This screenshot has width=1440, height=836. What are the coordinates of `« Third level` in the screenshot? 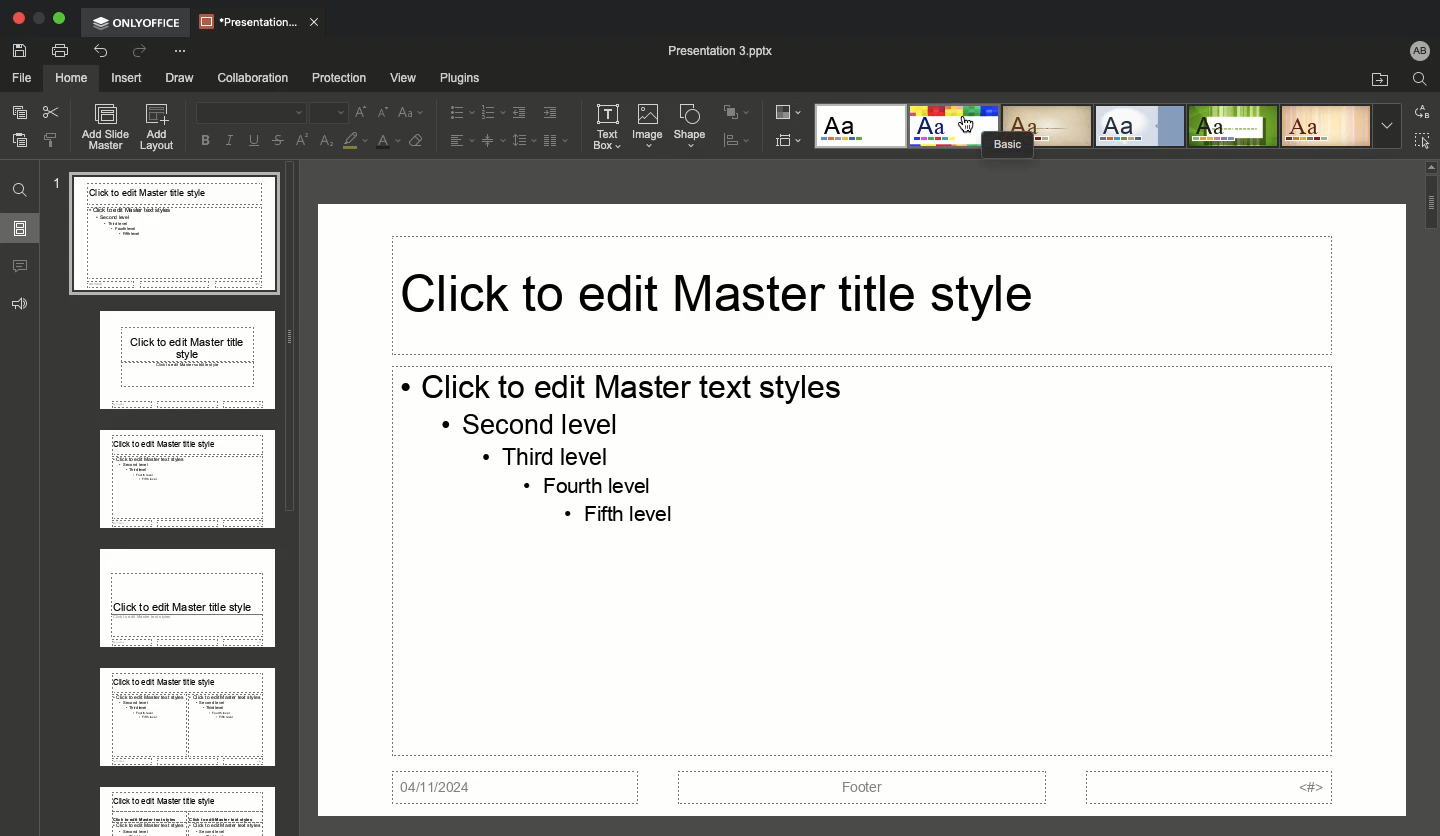 It's located at (562, 457).